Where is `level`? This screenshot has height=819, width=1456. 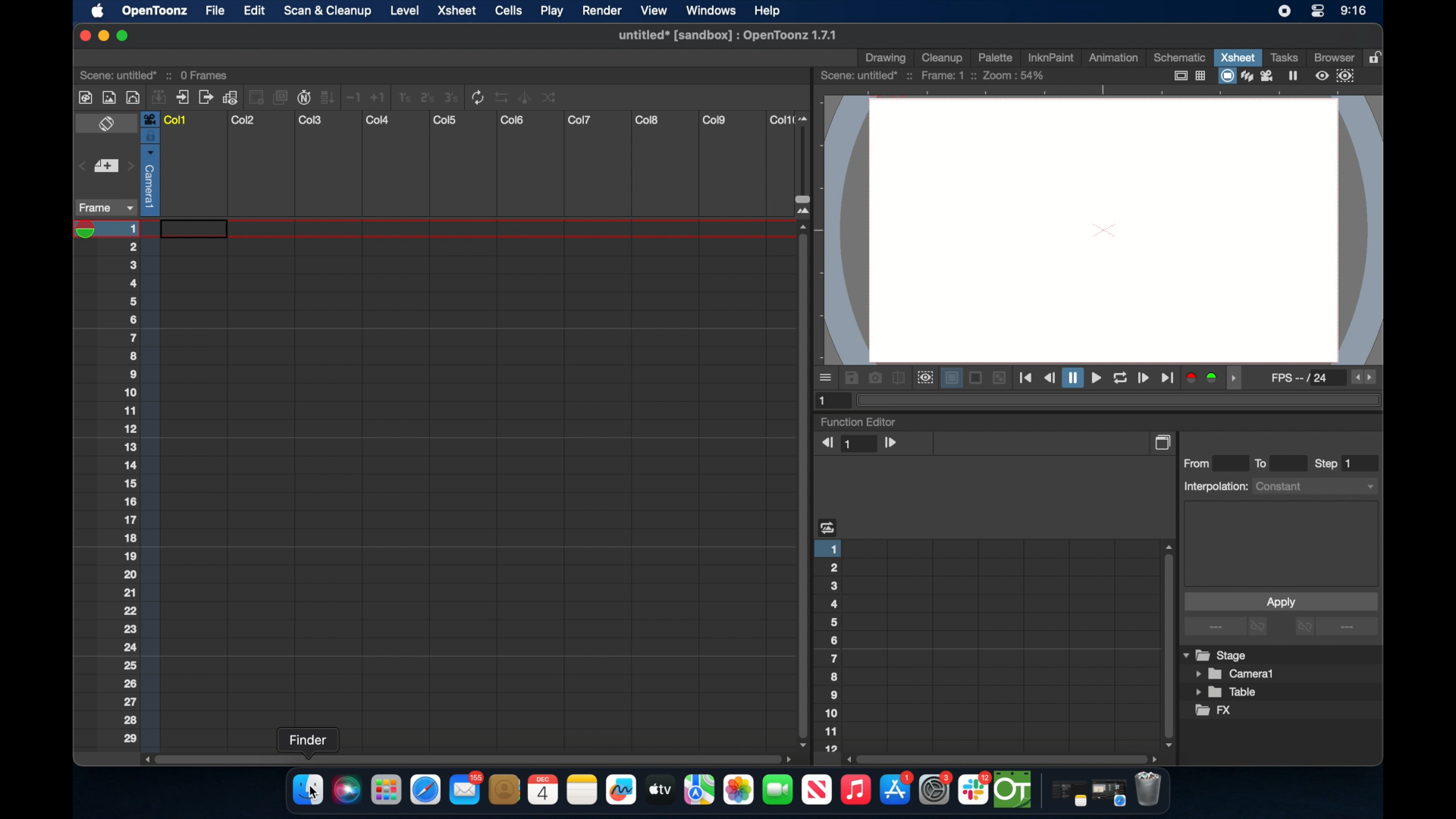
level is located at coordinates (406, 10).